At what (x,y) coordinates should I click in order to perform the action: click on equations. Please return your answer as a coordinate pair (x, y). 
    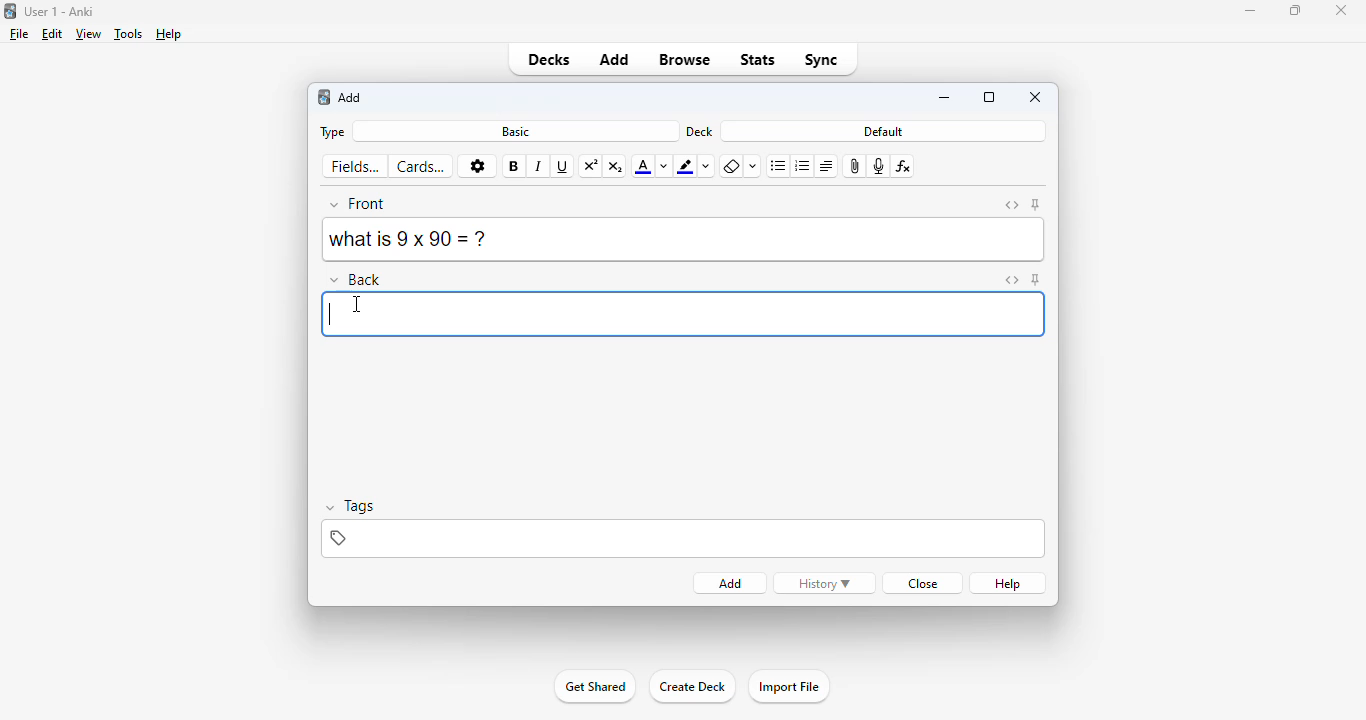
    Looking at the image, I should click on (905, 166).